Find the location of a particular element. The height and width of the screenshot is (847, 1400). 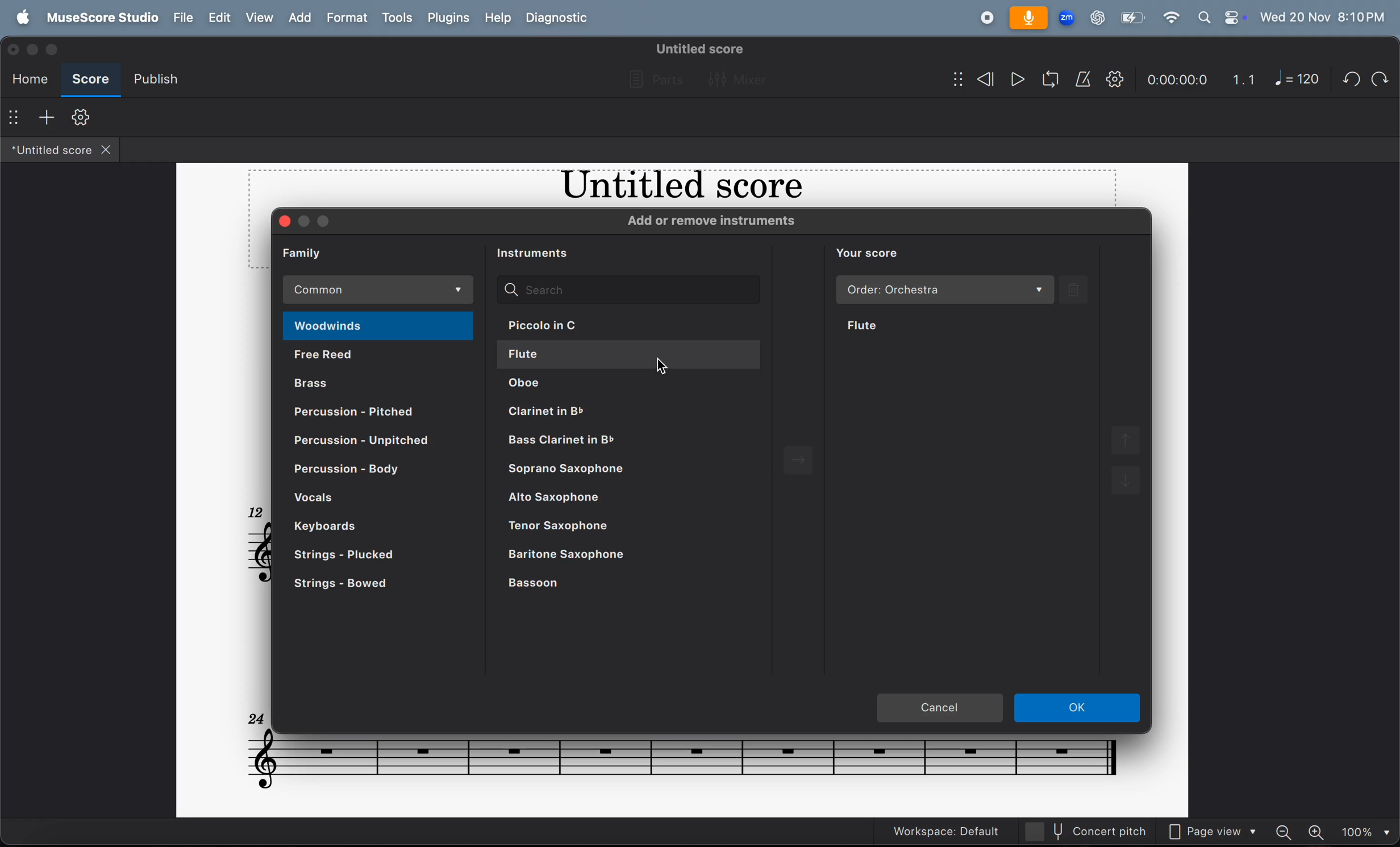

musescore studio is located at coordinates (98, 17).